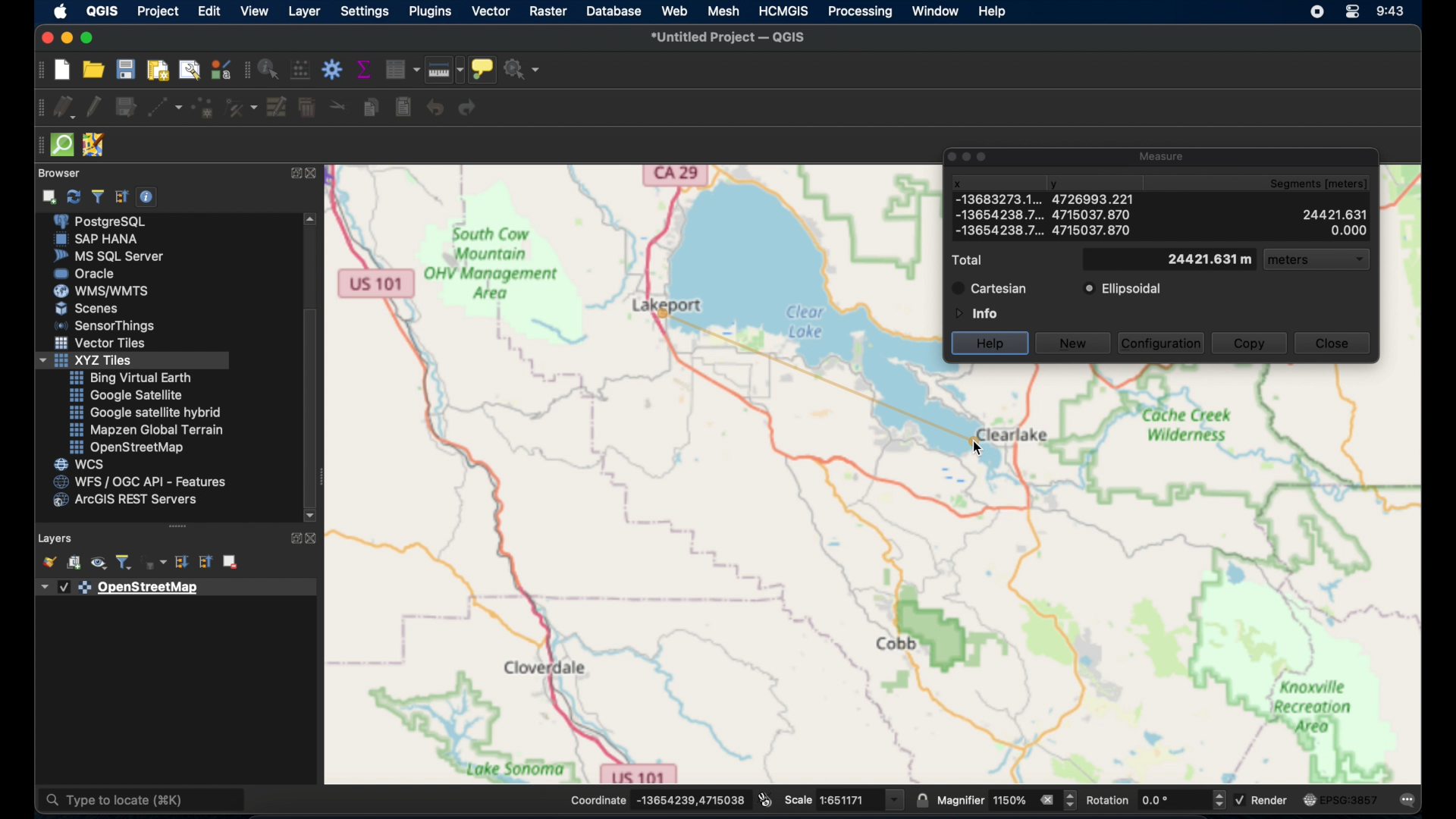  What do you see at coordinates (845, 799) in the screenshot?
I see `scale` at bounding box center [845, 799].